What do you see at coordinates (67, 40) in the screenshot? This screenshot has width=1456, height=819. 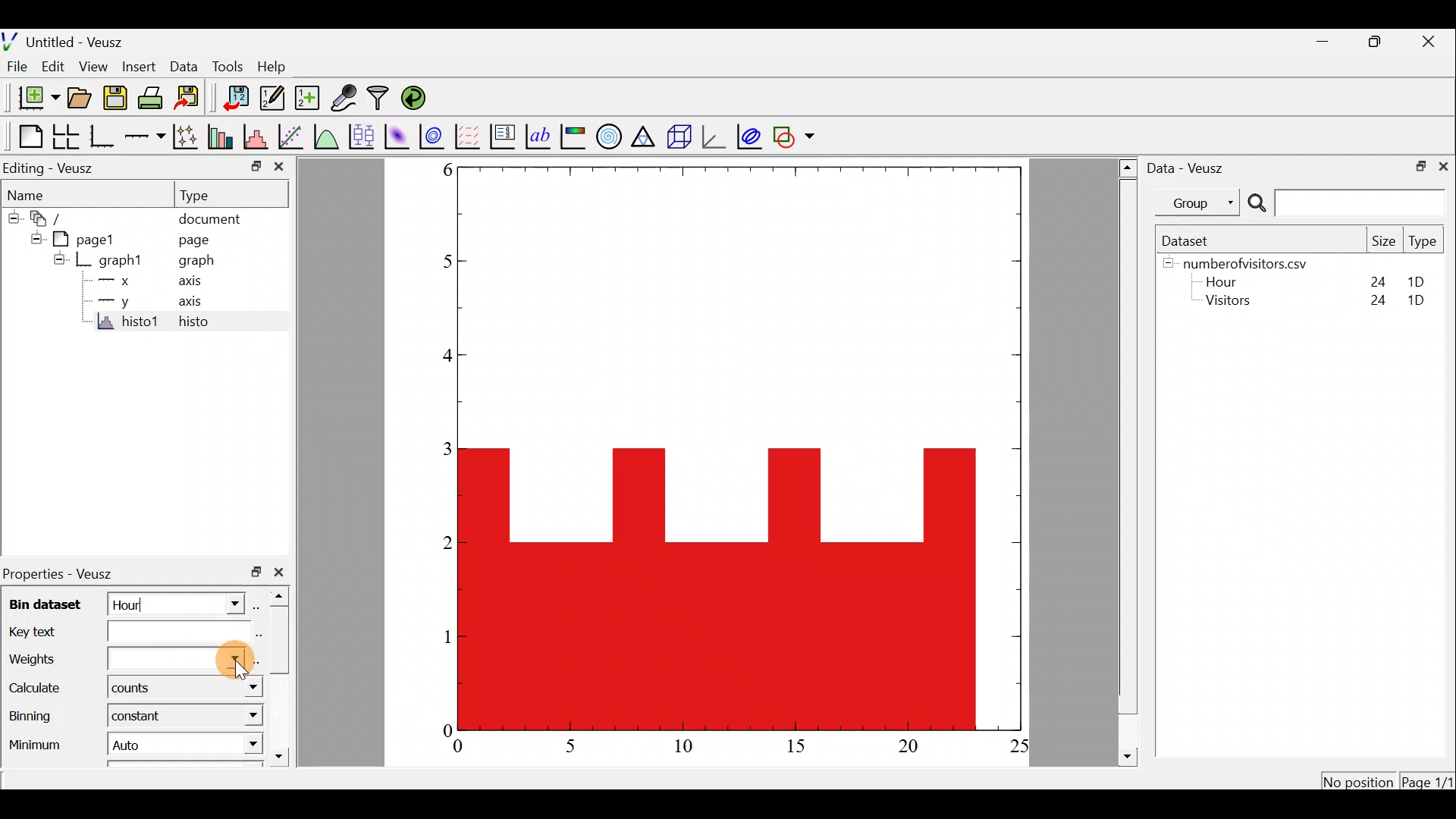 I see `Untitled - Veusz` at bounding box center [67, 40].